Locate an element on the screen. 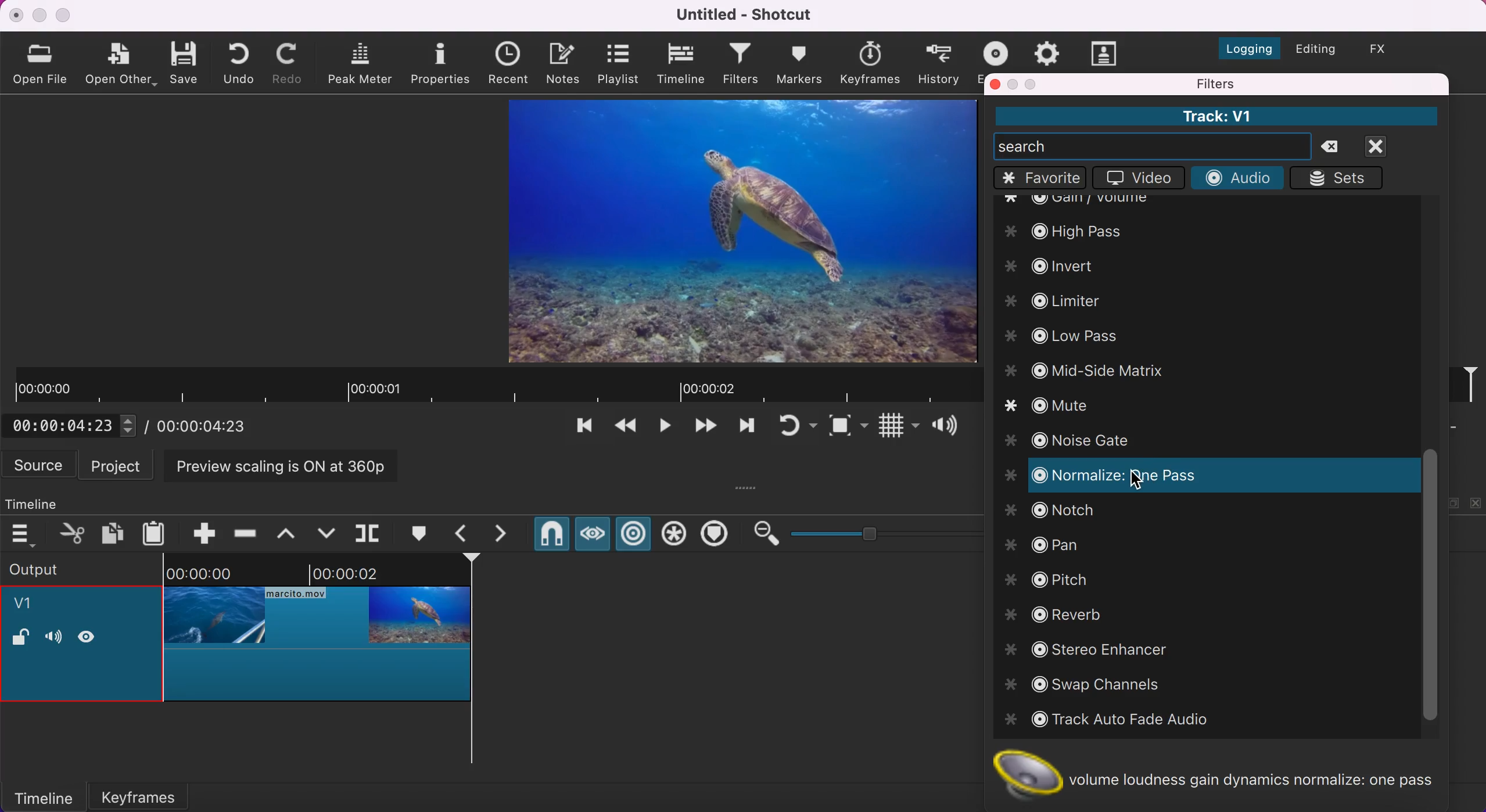 This screenshot has width=1486, height=812. open file is located at coordinates (43, 63).